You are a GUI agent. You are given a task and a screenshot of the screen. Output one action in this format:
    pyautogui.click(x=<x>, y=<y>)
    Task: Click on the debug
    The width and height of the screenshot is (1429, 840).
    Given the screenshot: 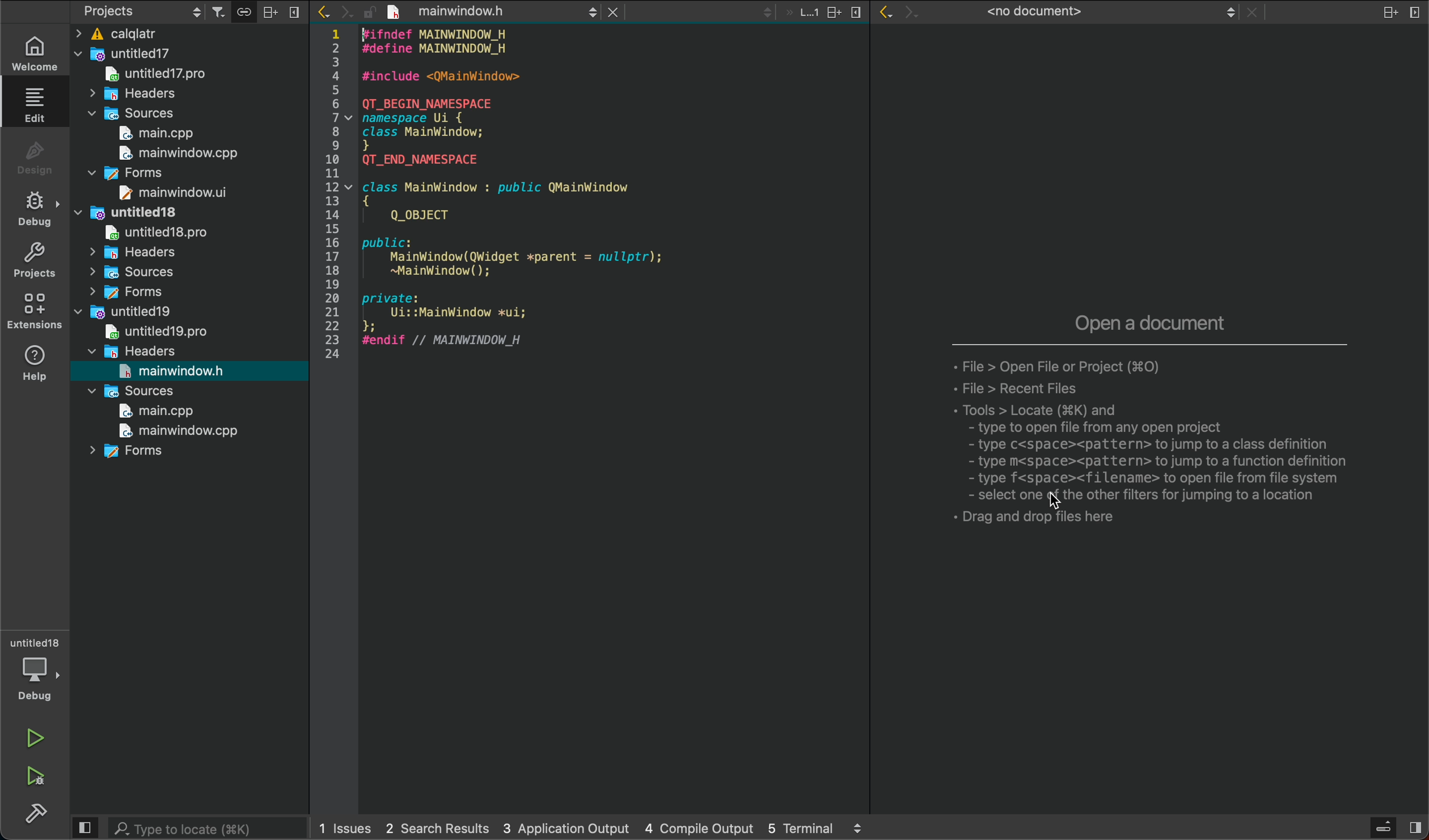 What is the action you would take?
    pyautogui.click(x=39, y=209)
    